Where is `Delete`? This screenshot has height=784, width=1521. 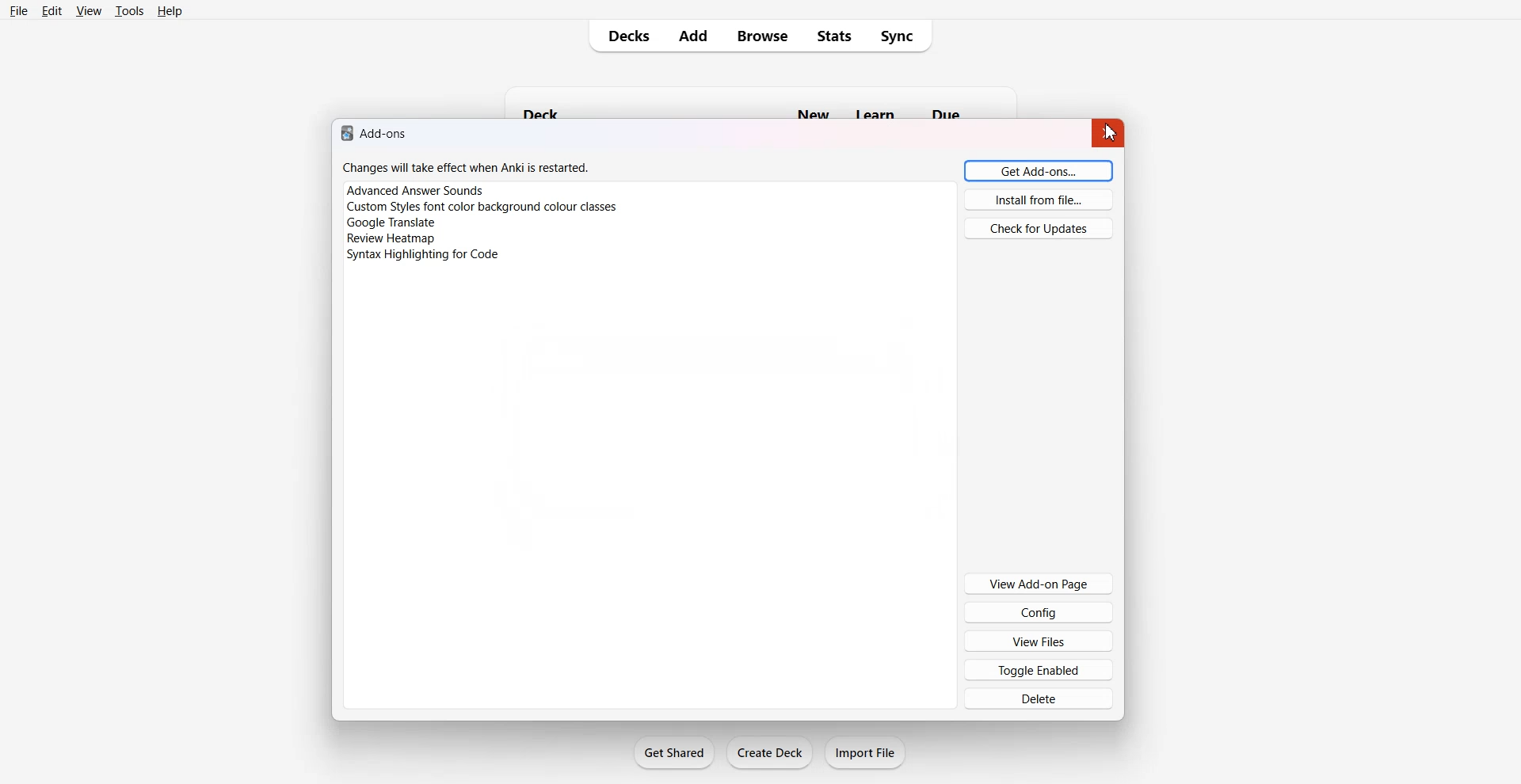 Delete is located at coordinates (1037, 699).